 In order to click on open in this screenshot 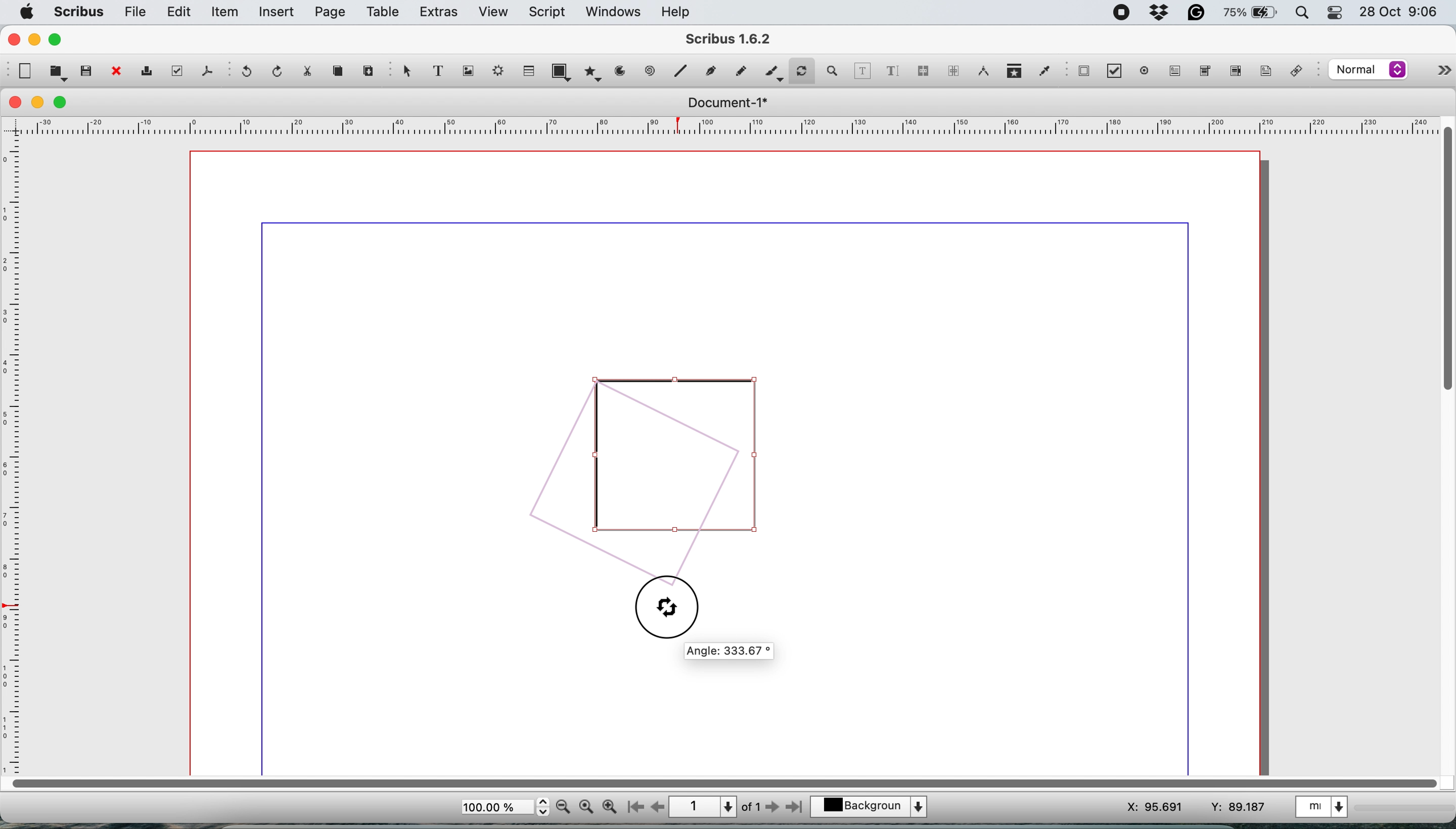, I will do `click(56, 73)`.